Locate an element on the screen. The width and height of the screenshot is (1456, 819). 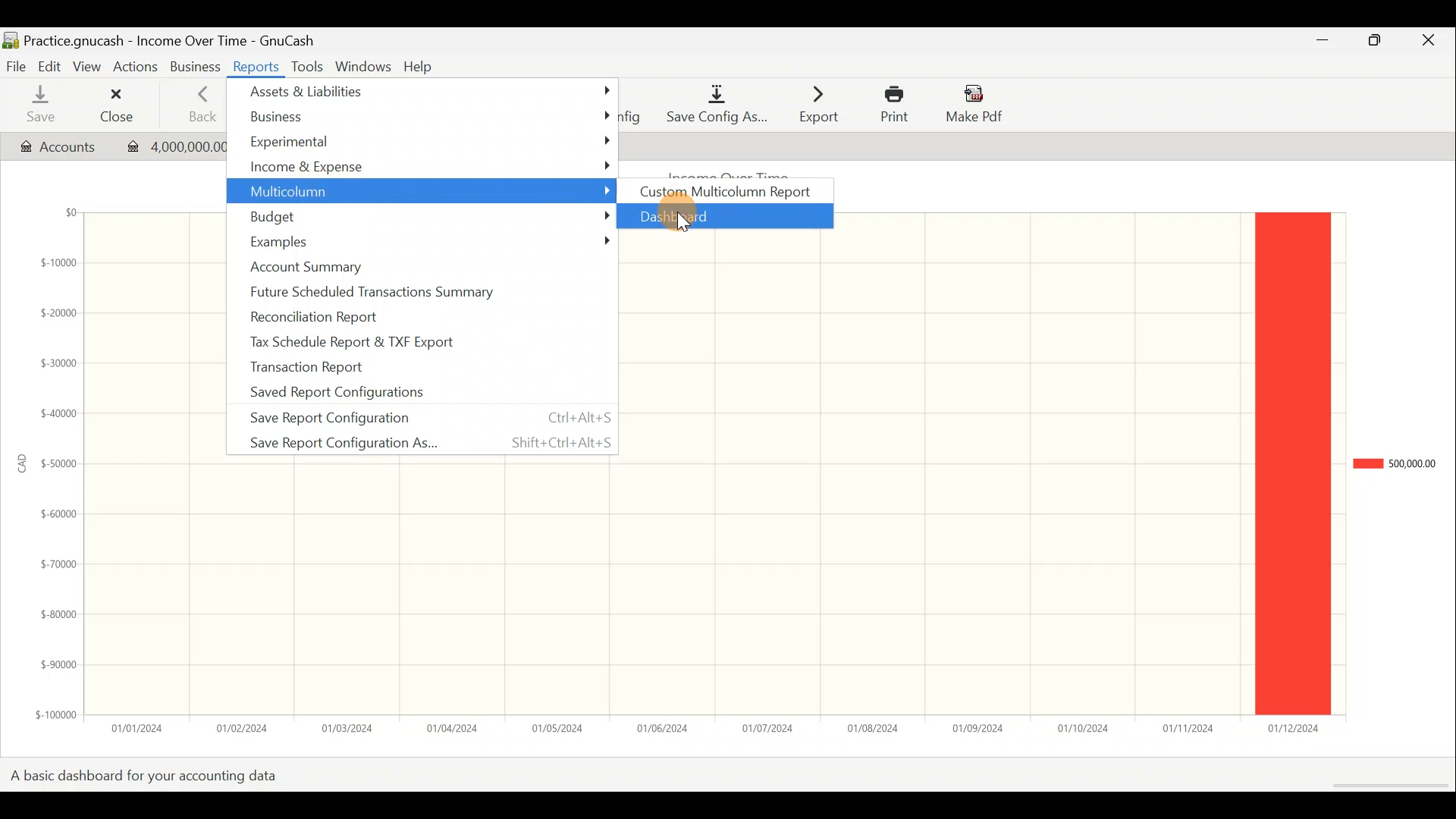
x-axis (date) is located at coordinates (713, 736).